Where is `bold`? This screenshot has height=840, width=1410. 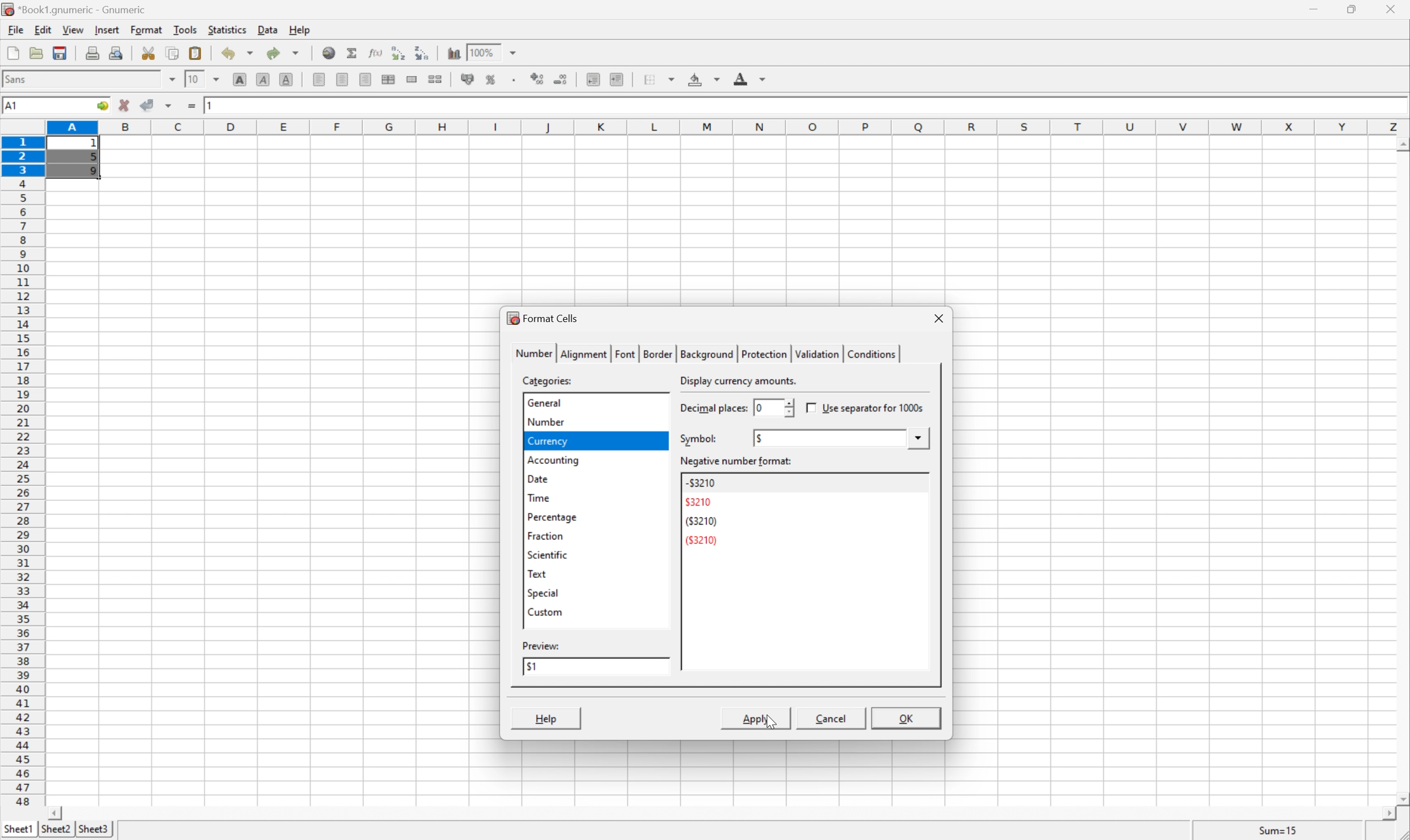 bold is located at coordinates (242, 80).